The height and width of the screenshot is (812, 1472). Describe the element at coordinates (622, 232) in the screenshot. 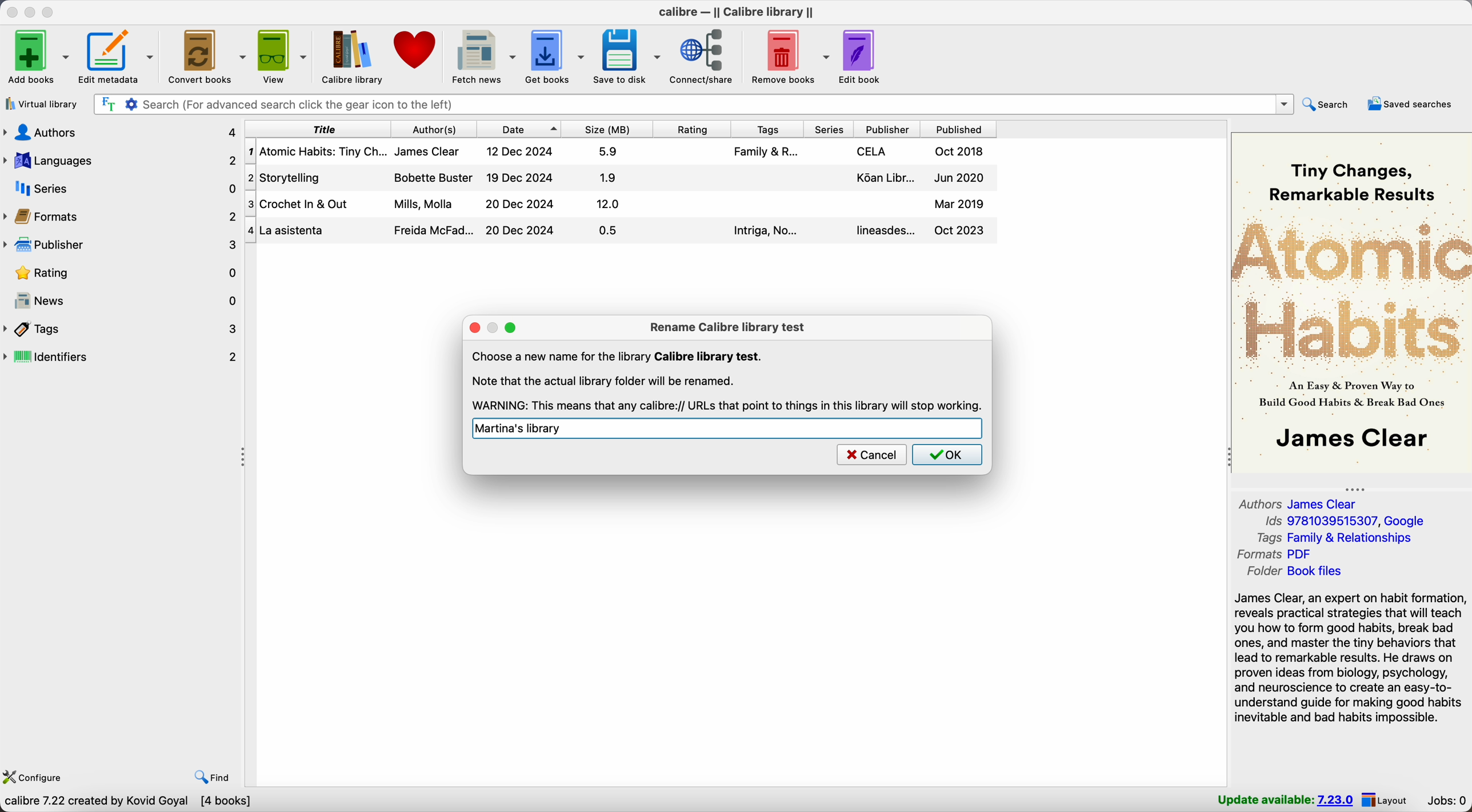

I see `La Asistenta book` at that location.